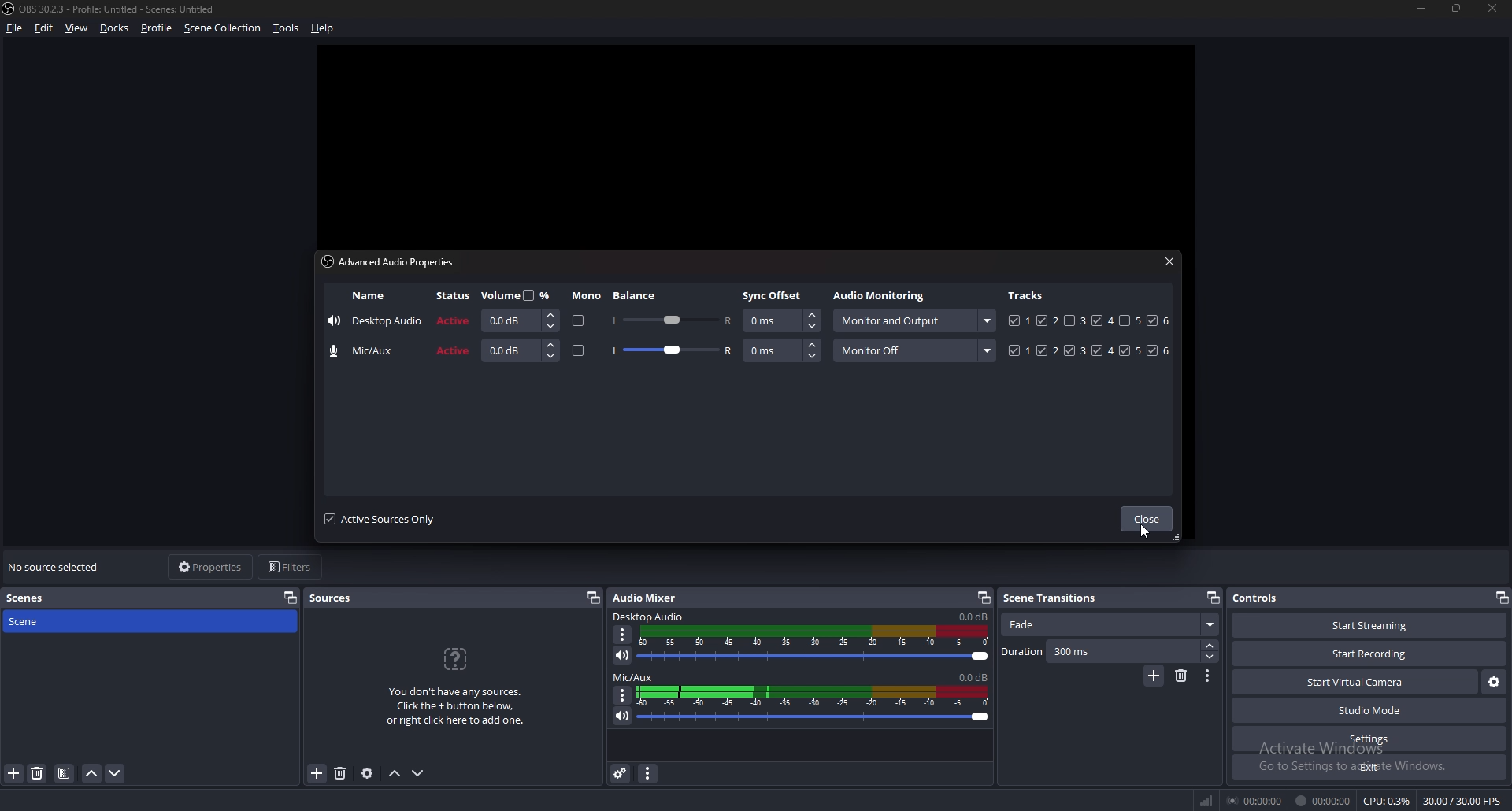 This screenshot has height=811, width=1512. Describe the element at coordinates (1126, 320) in the screenshot. I see `track` at that location.